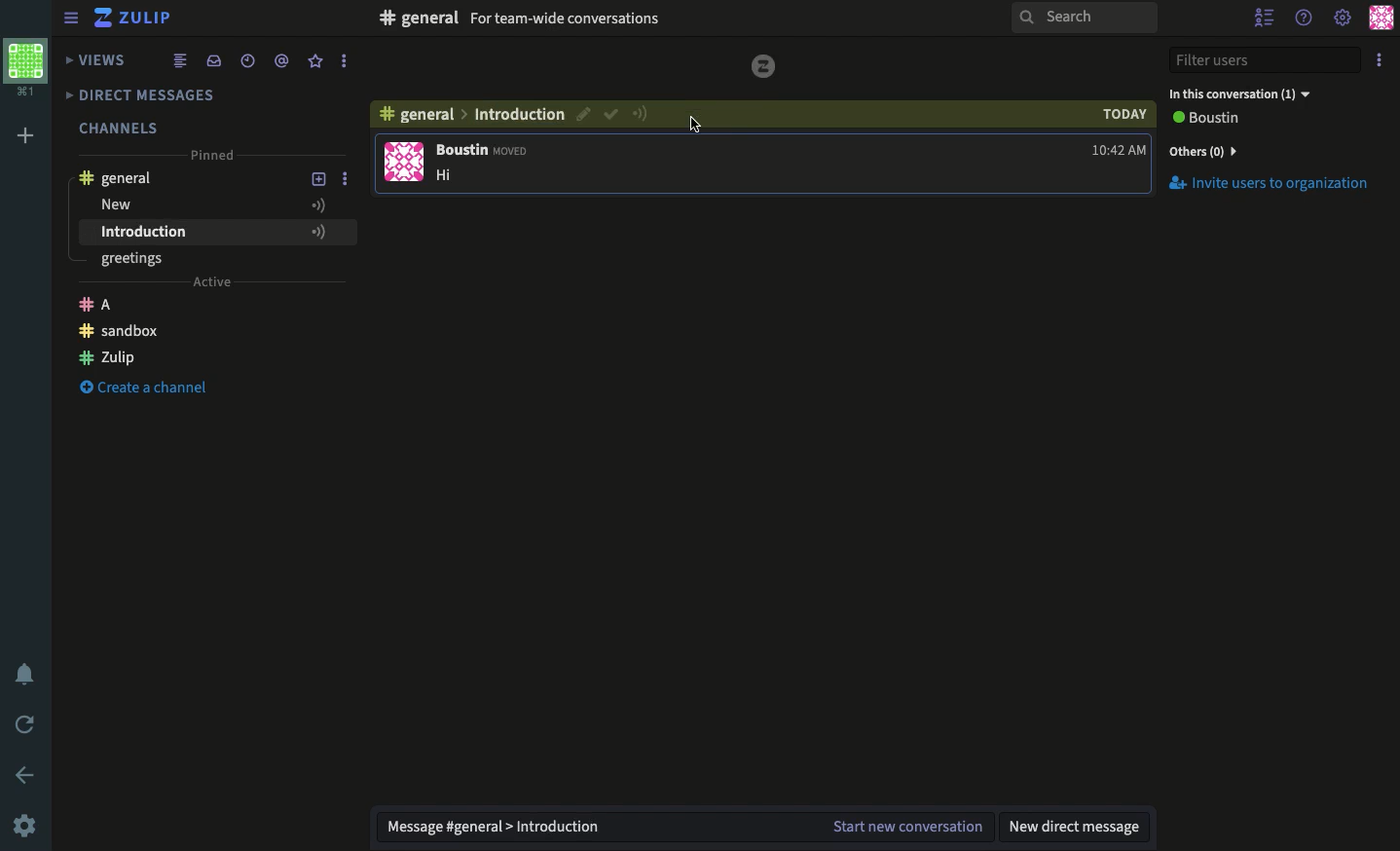 The image size is (1400, 851). What do you see at coordinates (1378, 60) in the screenshot?
I see `Option ` at bounding box center [1378, 60].